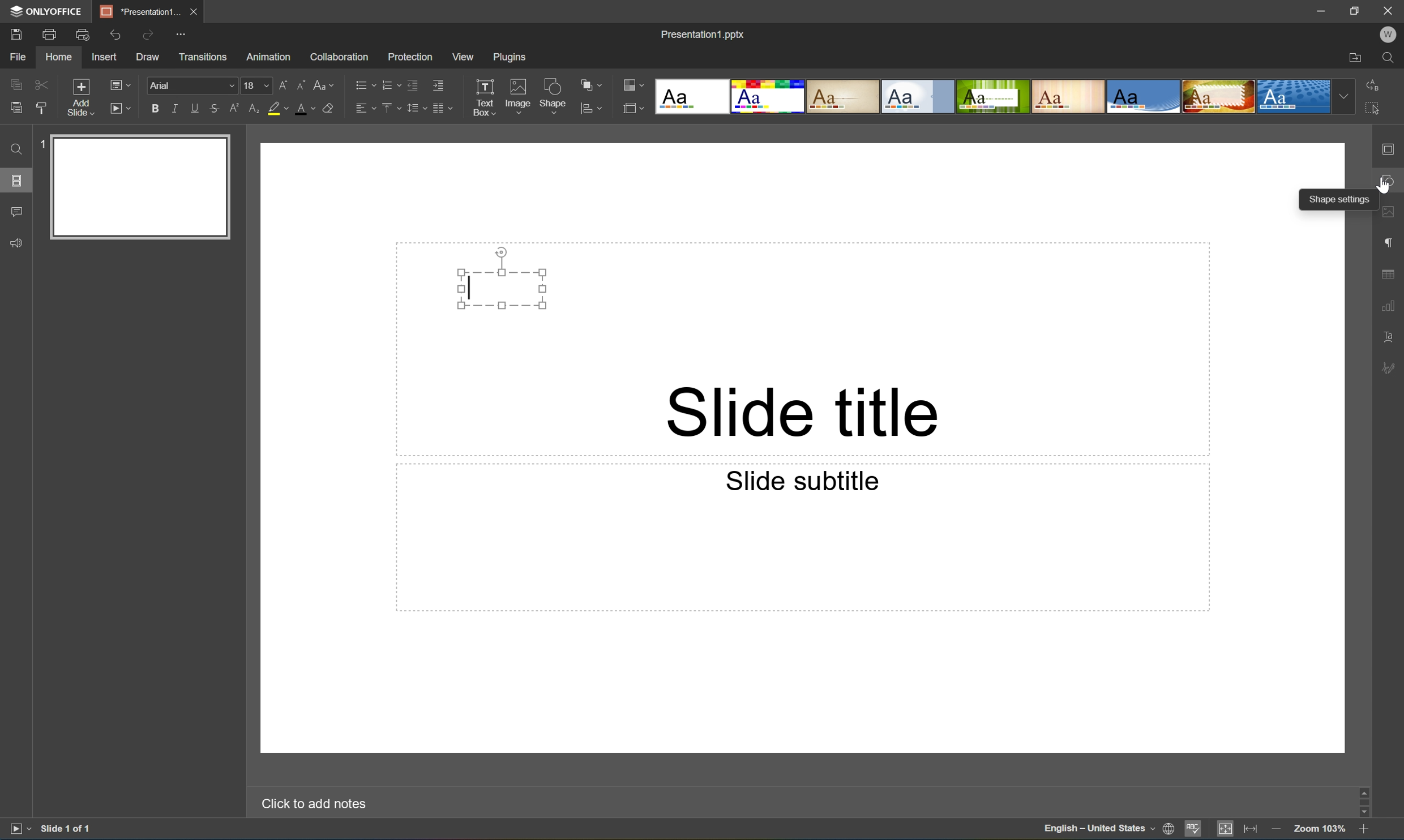 The width and height of the screenshot is (1404, 840). I want to click on Comments, so click(16, 212).